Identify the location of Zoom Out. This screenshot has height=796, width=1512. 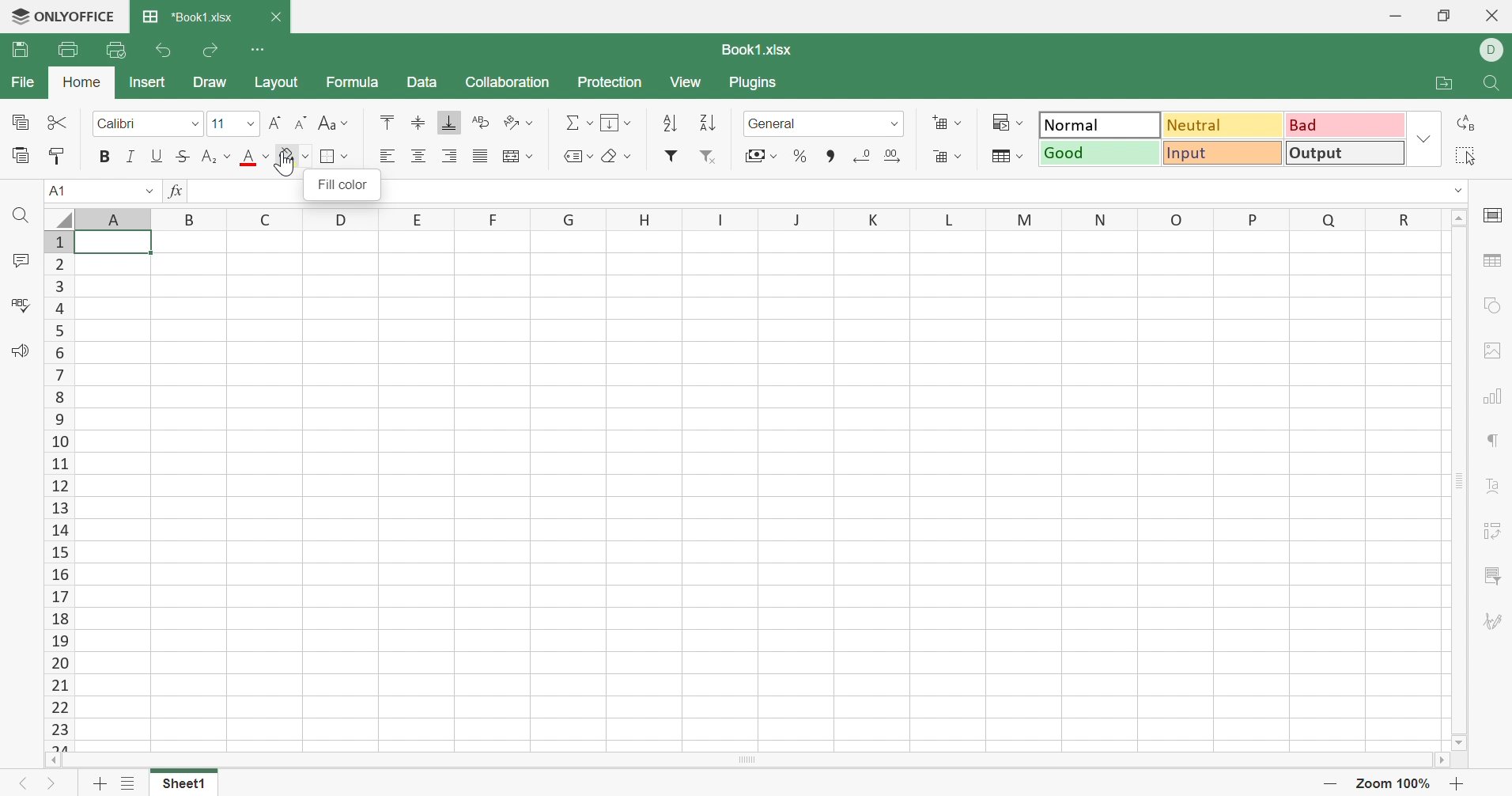
(1332, 784).